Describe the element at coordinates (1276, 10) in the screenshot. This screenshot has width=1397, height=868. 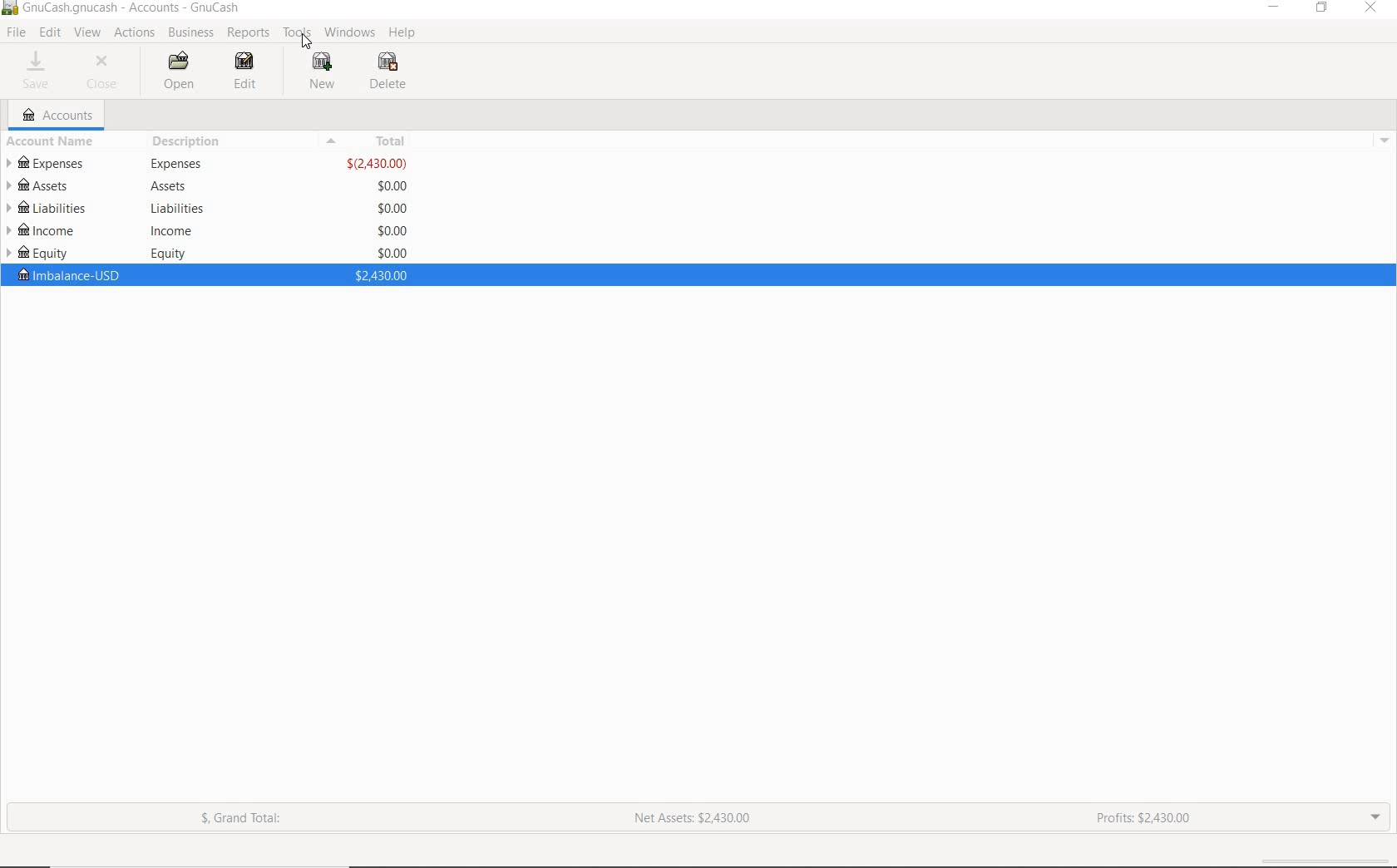
I see `MINIMIZE` at that location.